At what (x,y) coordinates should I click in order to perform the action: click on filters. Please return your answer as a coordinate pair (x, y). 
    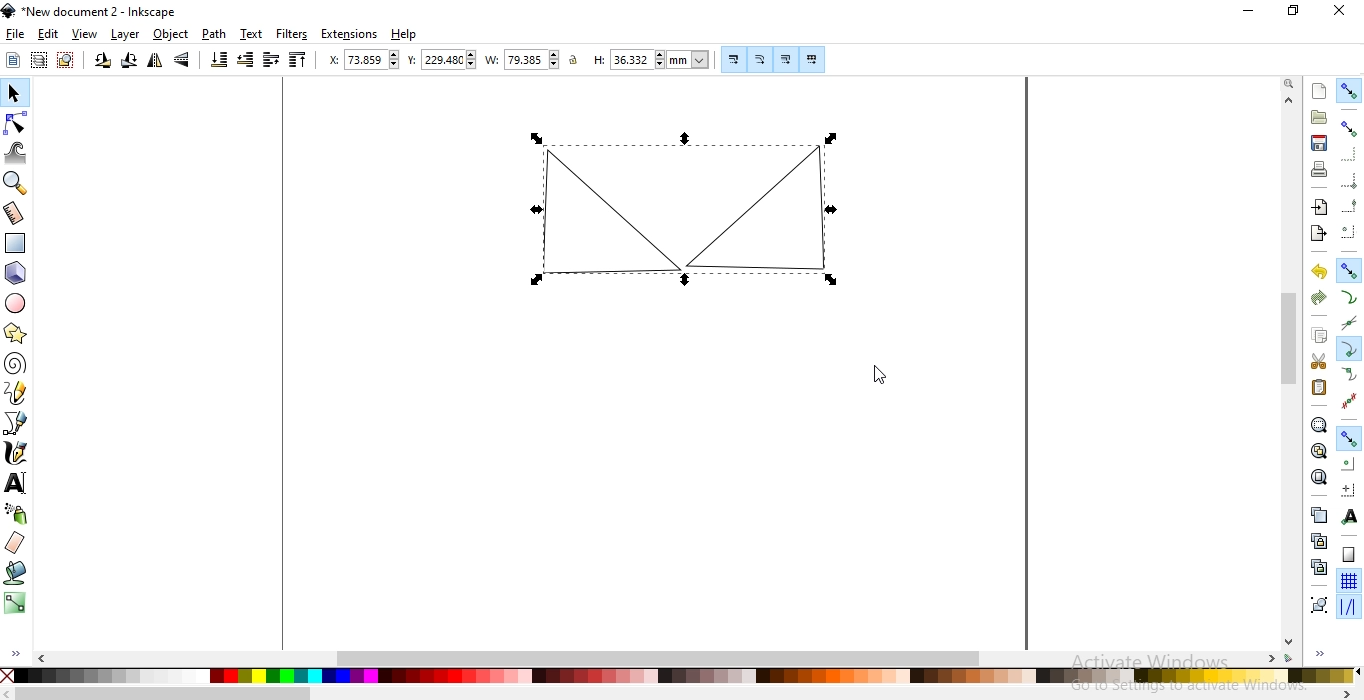
    Looking at the image, I should click on (292, 34).